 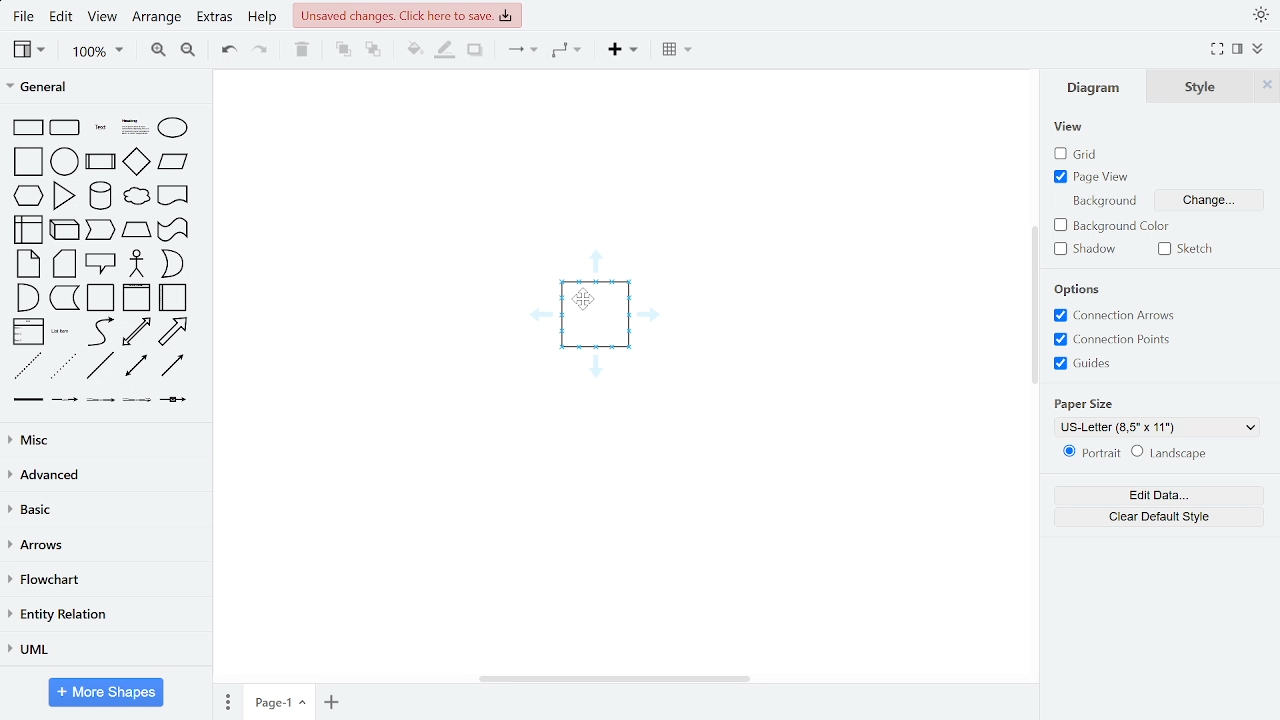 I want to click on general shapes, so click(x=172, y=162).